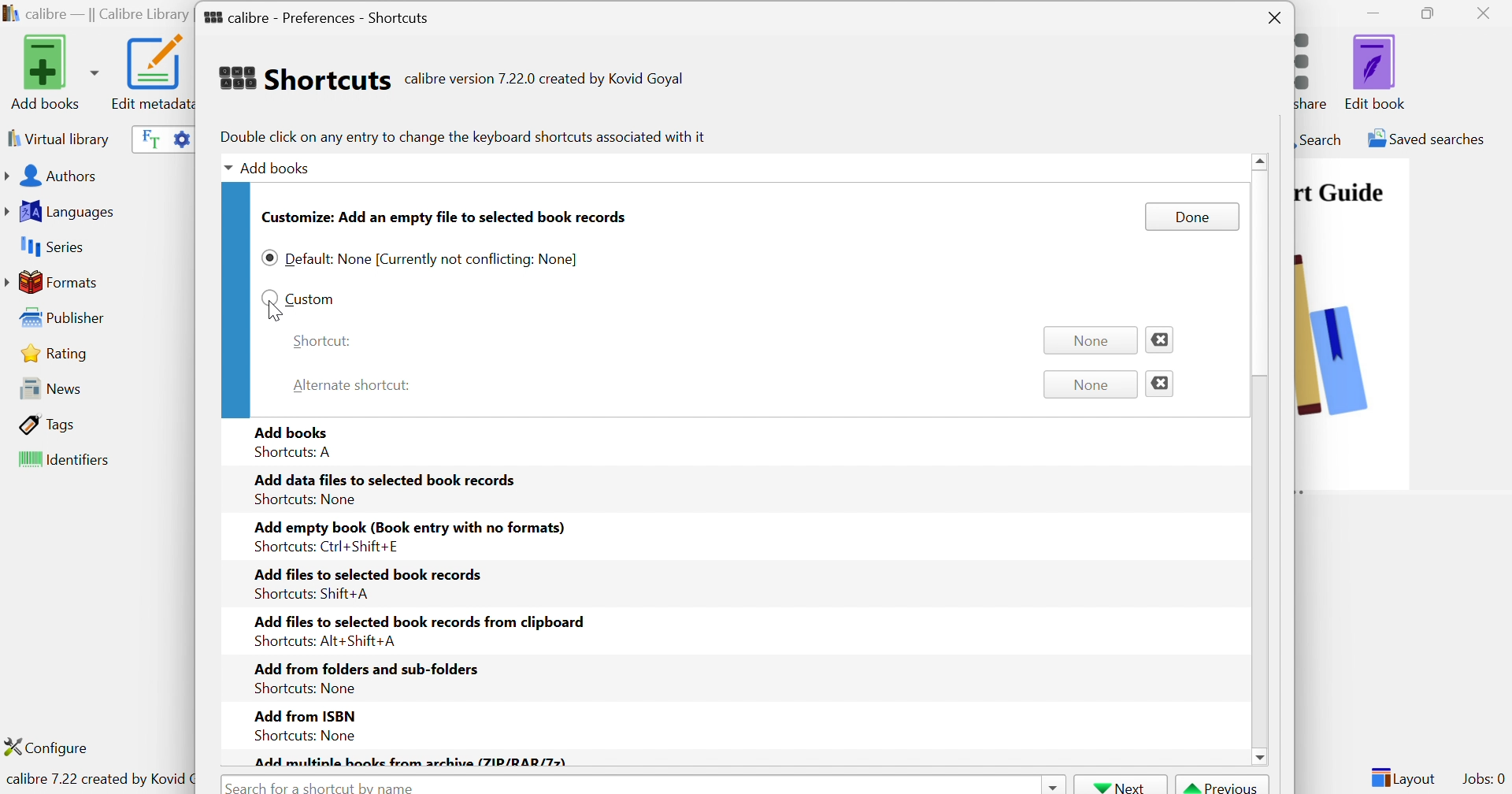 The width and height of the screenshot is (1512, 794). I want to click on Minimize, so click(1373, 12).